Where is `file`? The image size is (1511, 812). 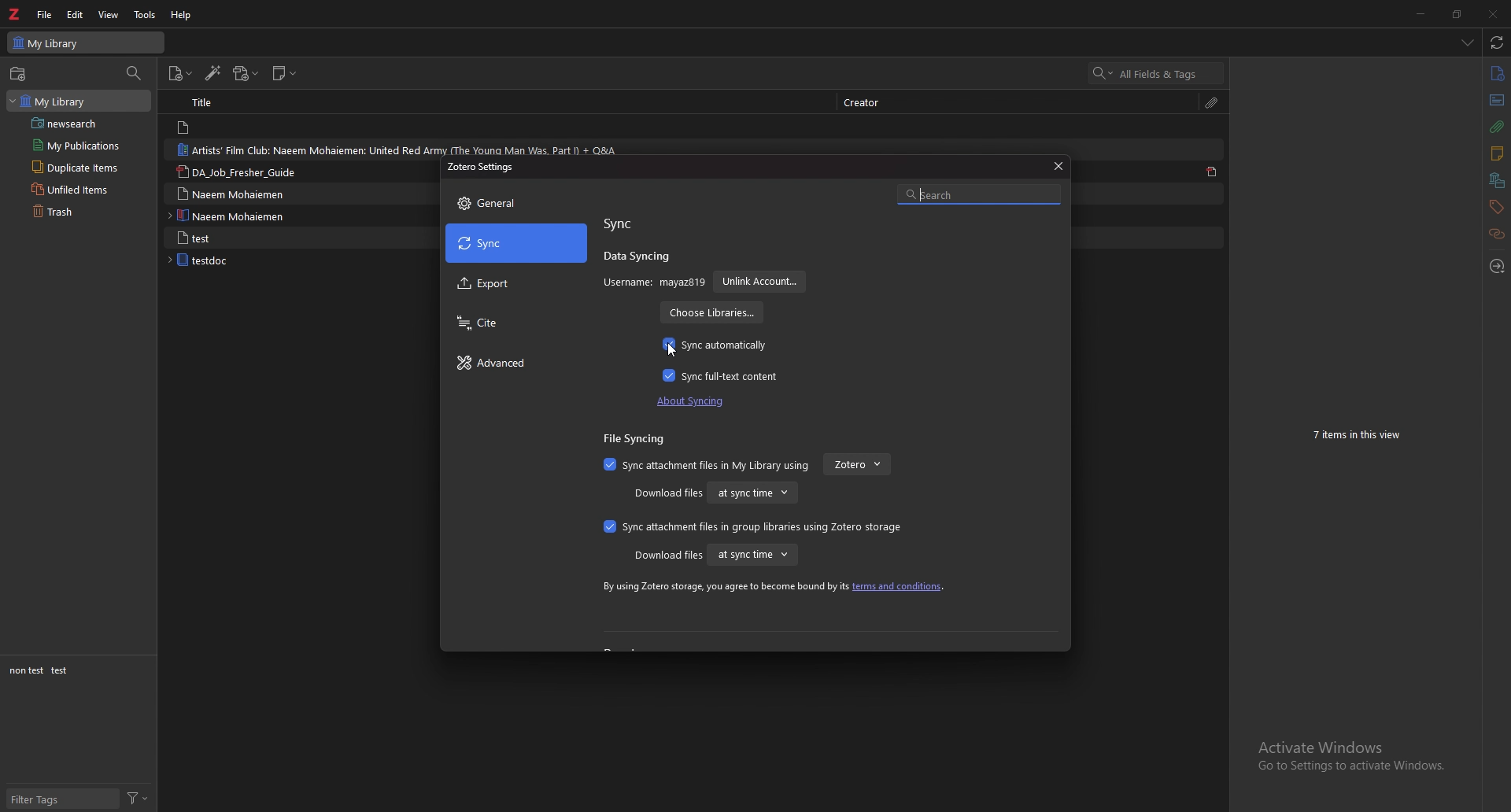 file is located at coordinates (45, 15).